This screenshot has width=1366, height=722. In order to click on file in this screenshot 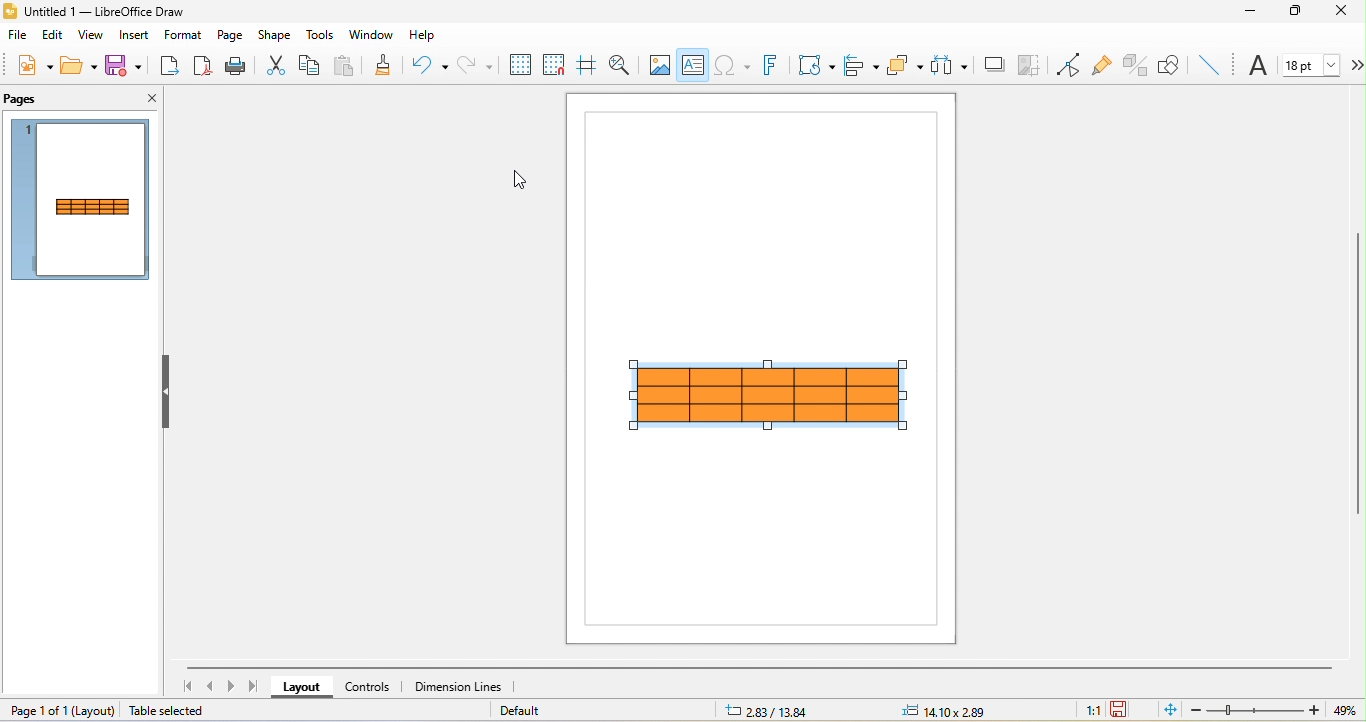, I will do `click(15, 35)`.